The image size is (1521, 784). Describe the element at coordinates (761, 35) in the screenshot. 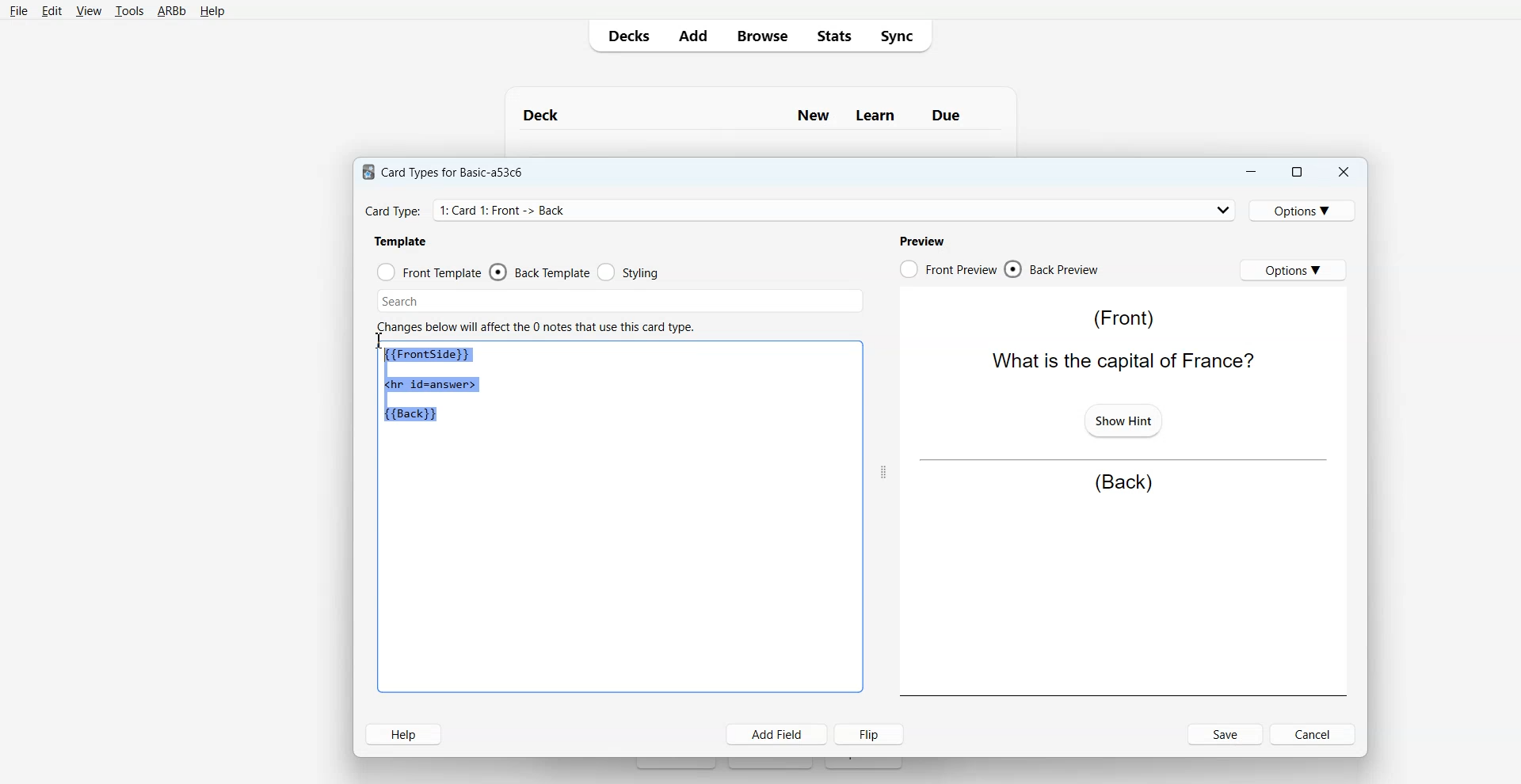

I see `Browse` at that location.